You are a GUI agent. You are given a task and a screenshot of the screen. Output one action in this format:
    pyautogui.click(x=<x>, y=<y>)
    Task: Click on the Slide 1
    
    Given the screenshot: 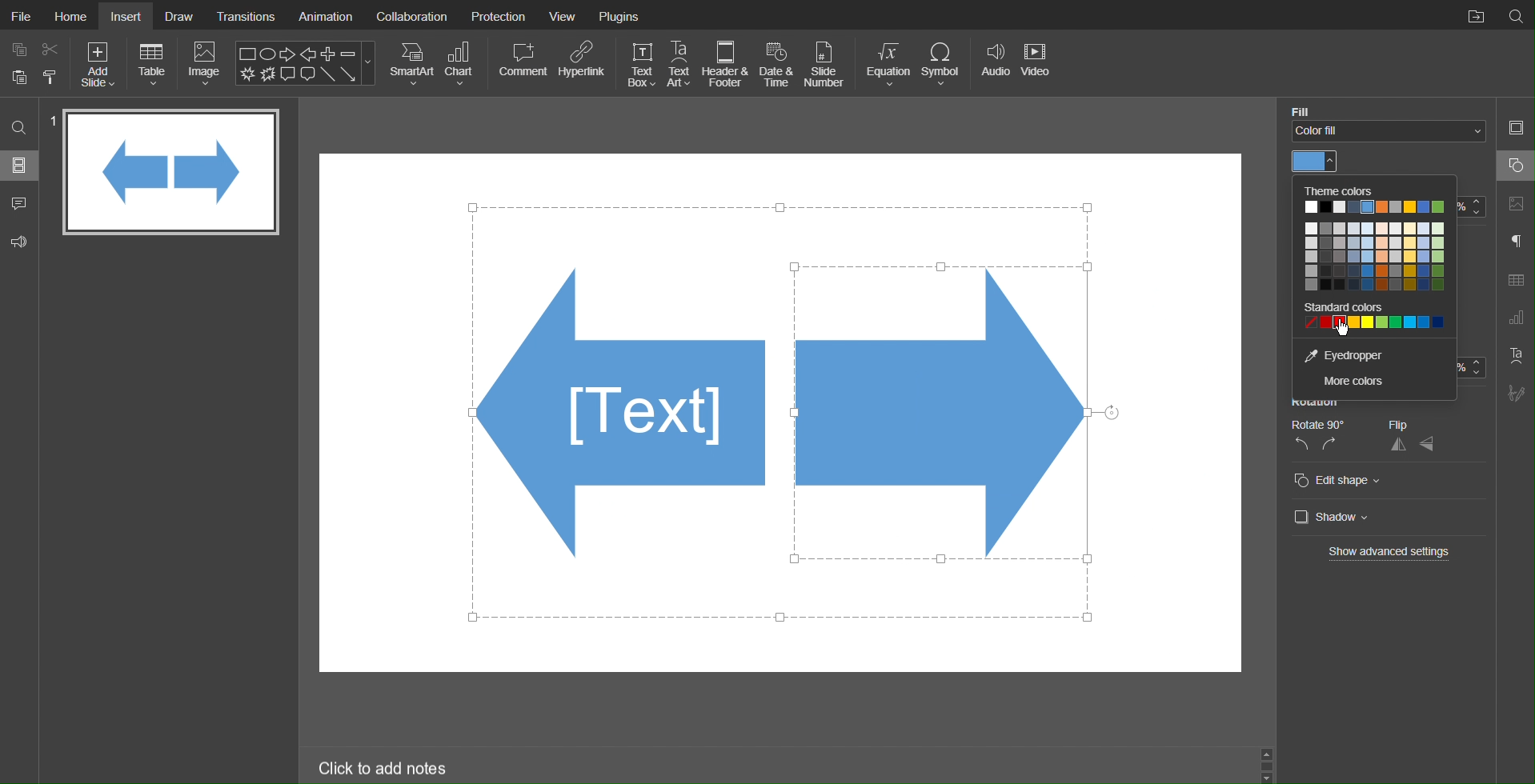 What is the action you would take?
    pyautogui.click(x=172, y=173)
    